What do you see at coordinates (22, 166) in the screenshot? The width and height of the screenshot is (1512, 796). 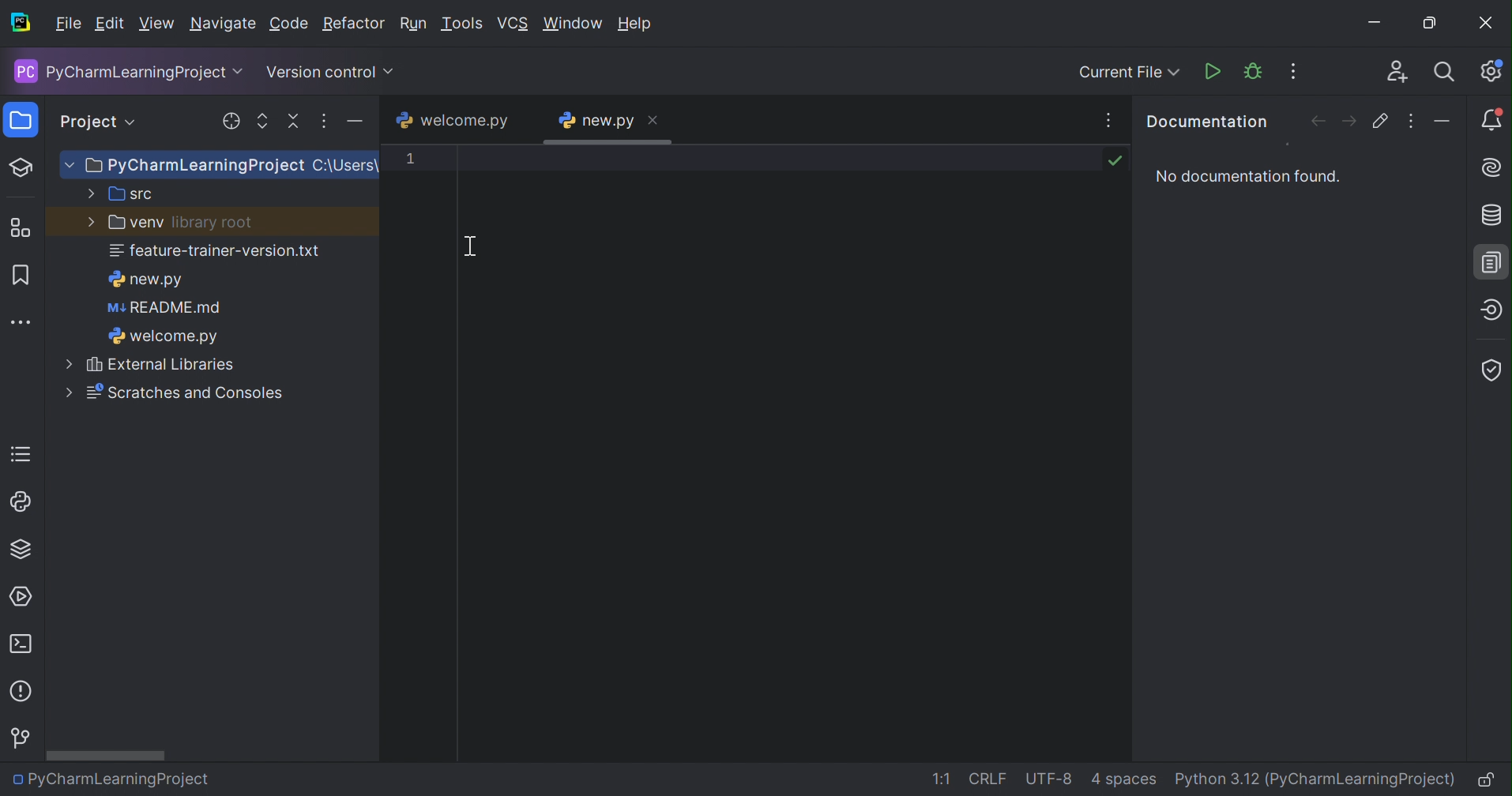 I see `Learn` at bounding box center [22, 166].